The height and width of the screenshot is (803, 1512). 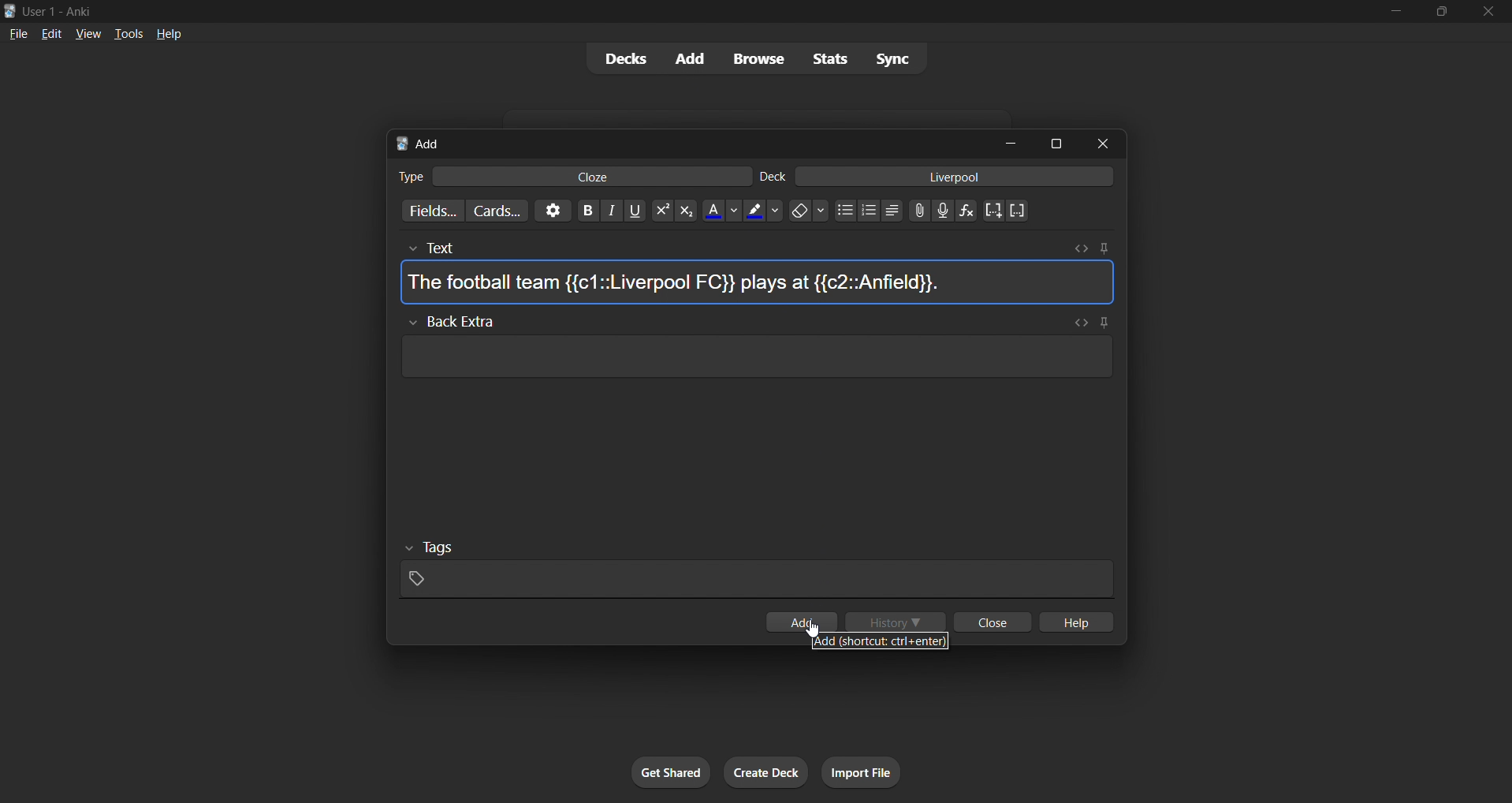 I want to click on italic, so click(x=611, y=212).